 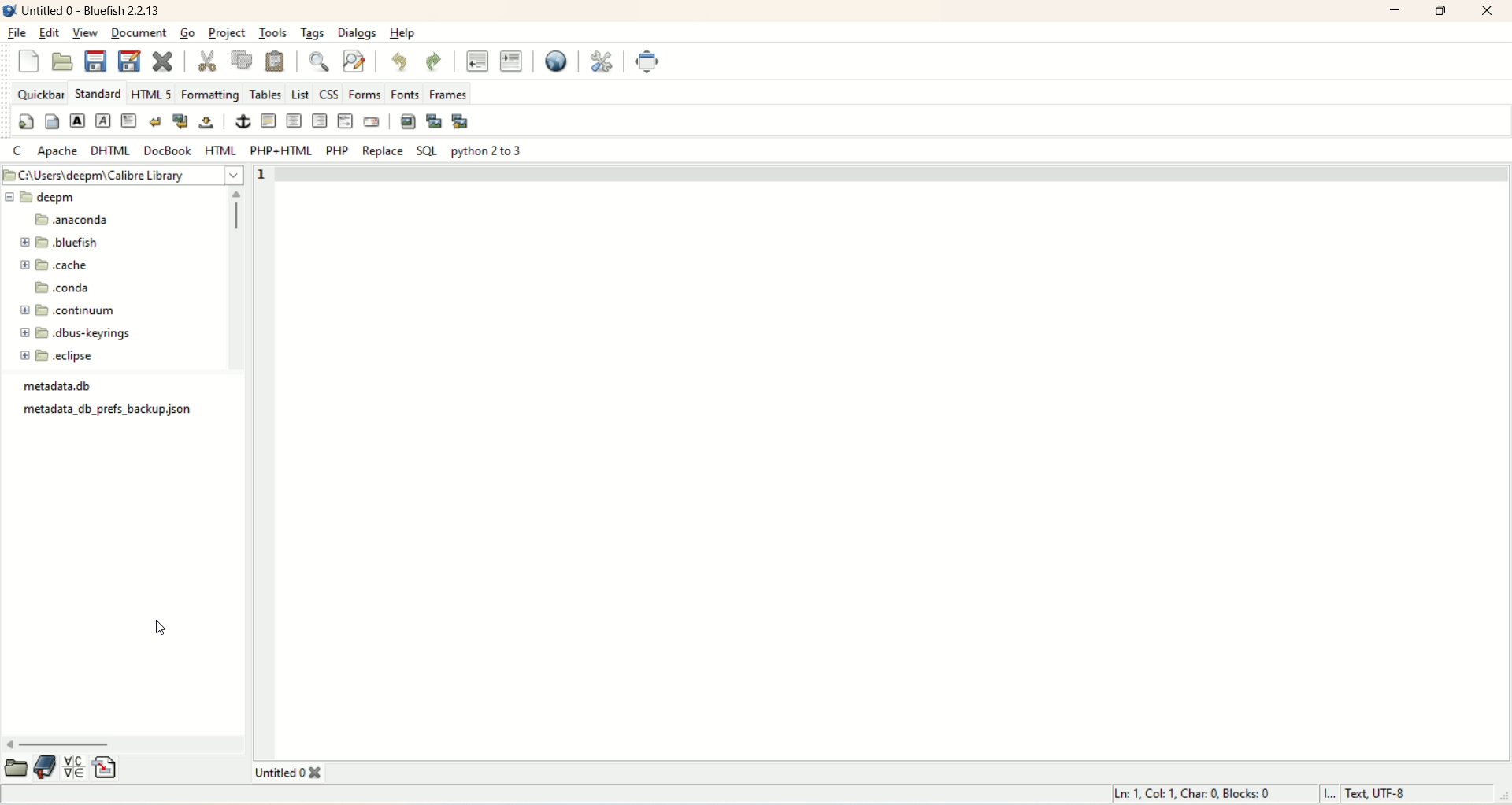 I want to click on Python 2 to 3, so click(x=488, y=152).